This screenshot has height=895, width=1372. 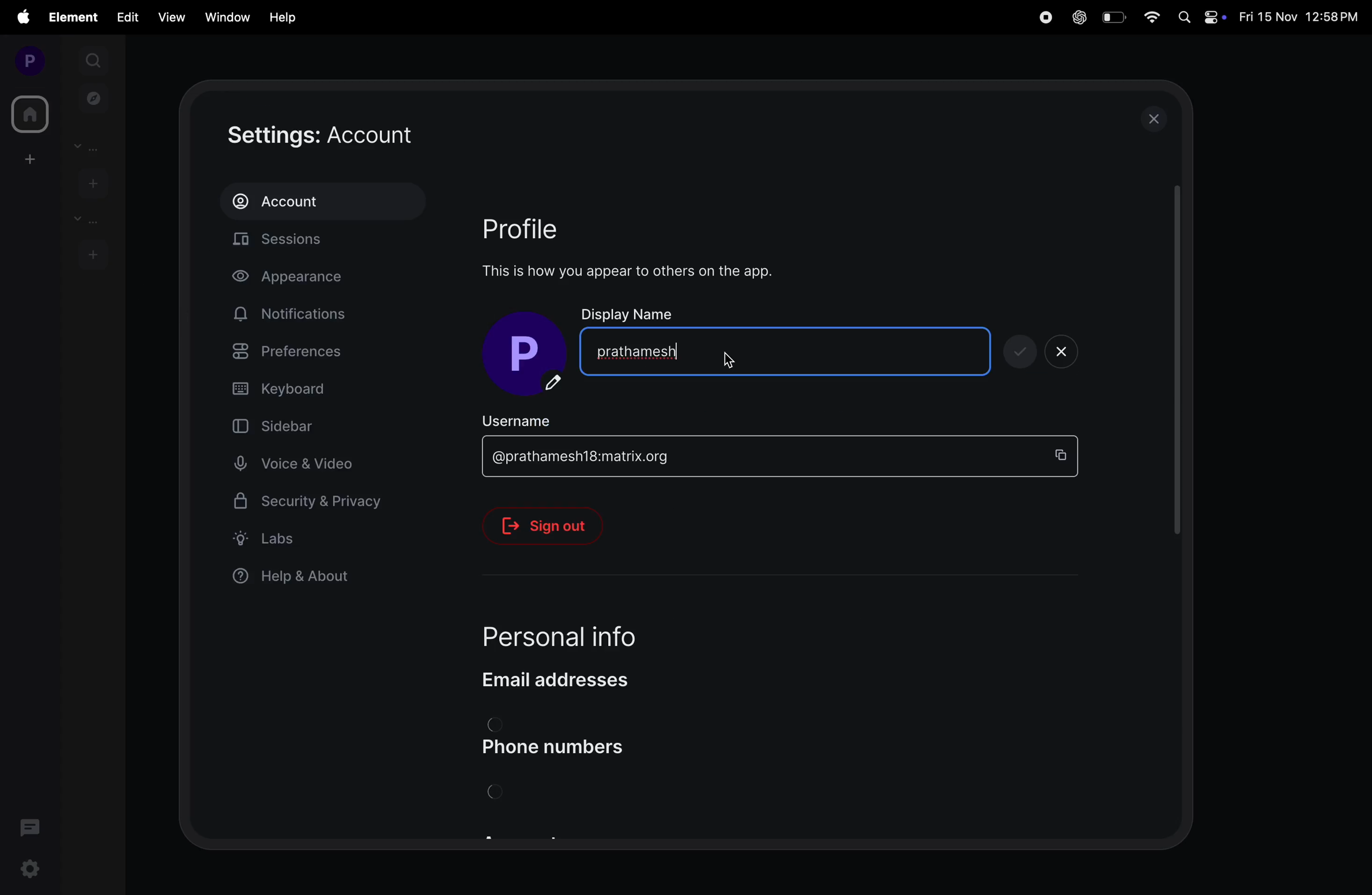 What do you see at coordinates (308, 538) in the screenshot?
I see `labs` at bounding box center [308, 538].